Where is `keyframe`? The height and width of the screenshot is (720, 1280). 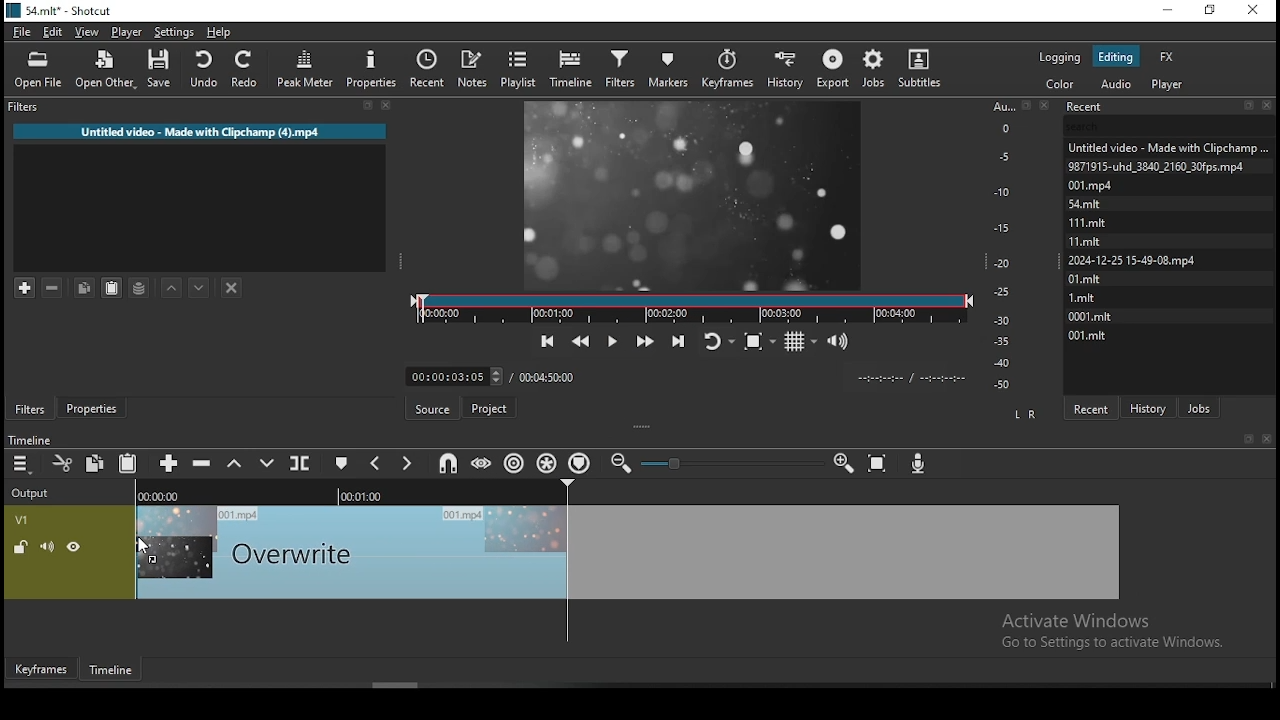 keyframe is located at coordinates (40, 668).